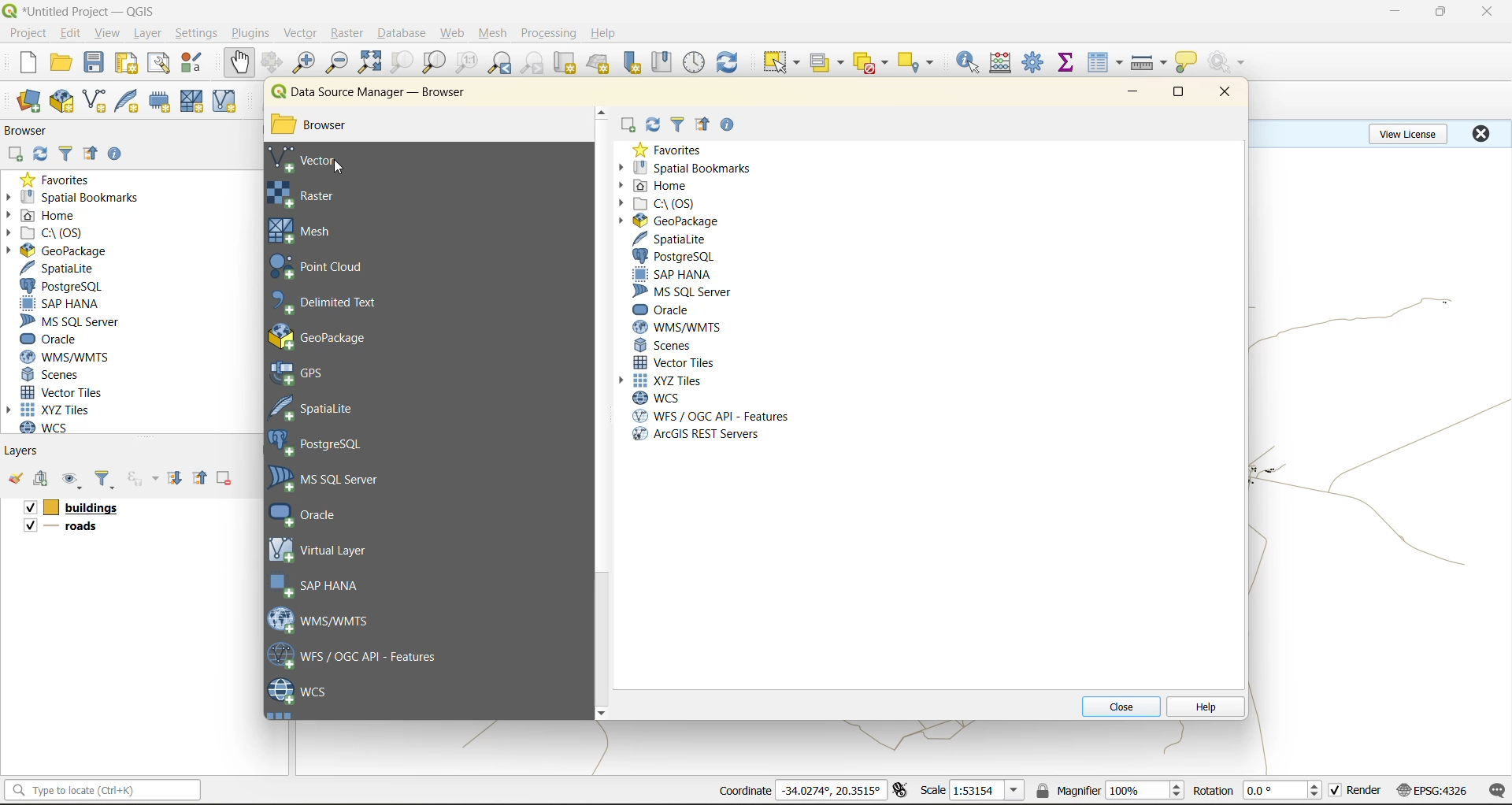 This screenshot has width=1512, height=805. Describe the element at coordinates (339, 168) in the screenshot. I see `cursor` at that location.